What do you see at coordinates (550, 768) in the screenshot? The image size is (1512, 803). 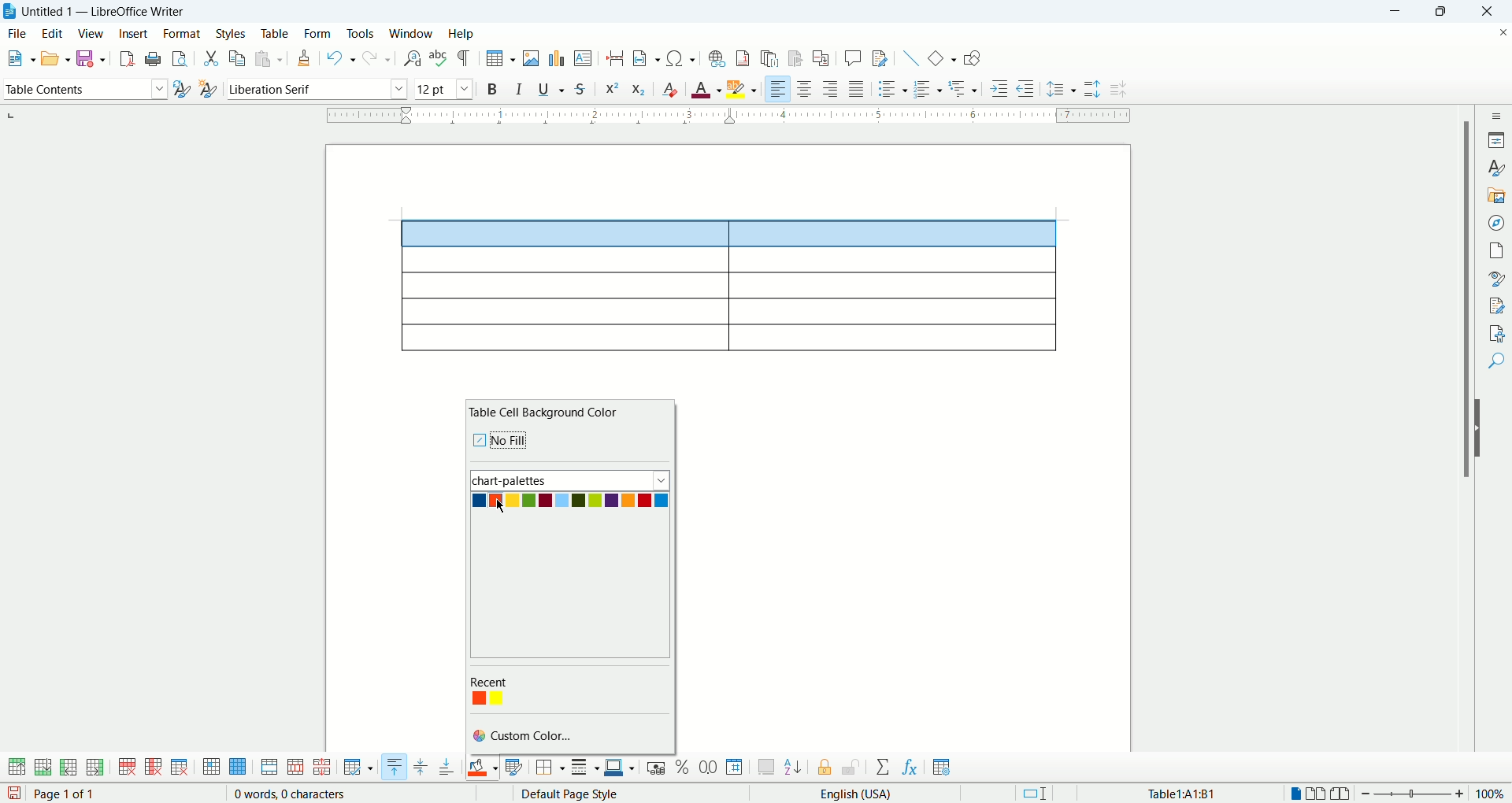 I see `borders` at bounding box center [550, 768].